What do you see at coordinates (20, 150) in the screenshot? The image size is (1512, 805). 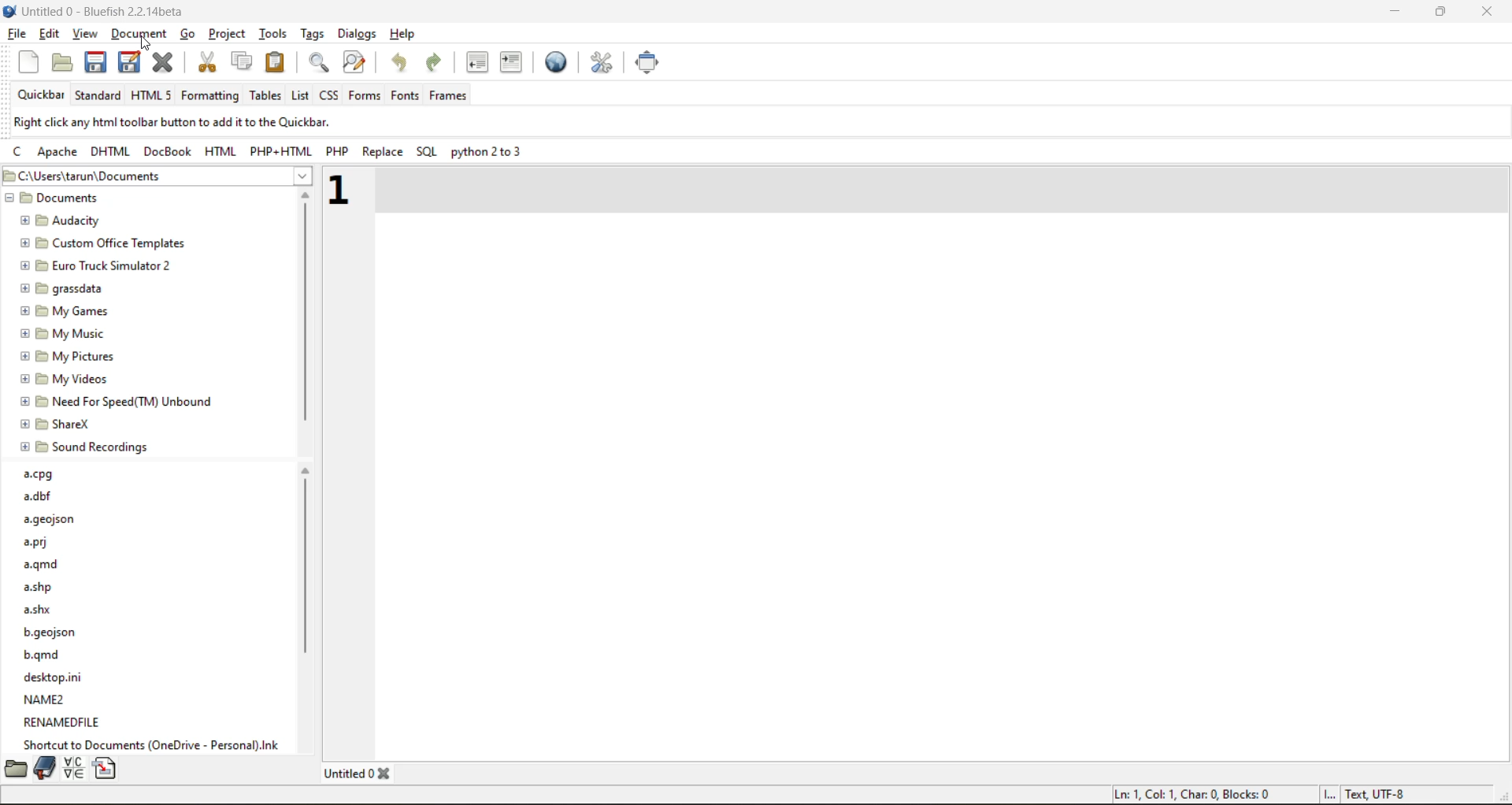 I see `c` at bounding box center [20, 150].